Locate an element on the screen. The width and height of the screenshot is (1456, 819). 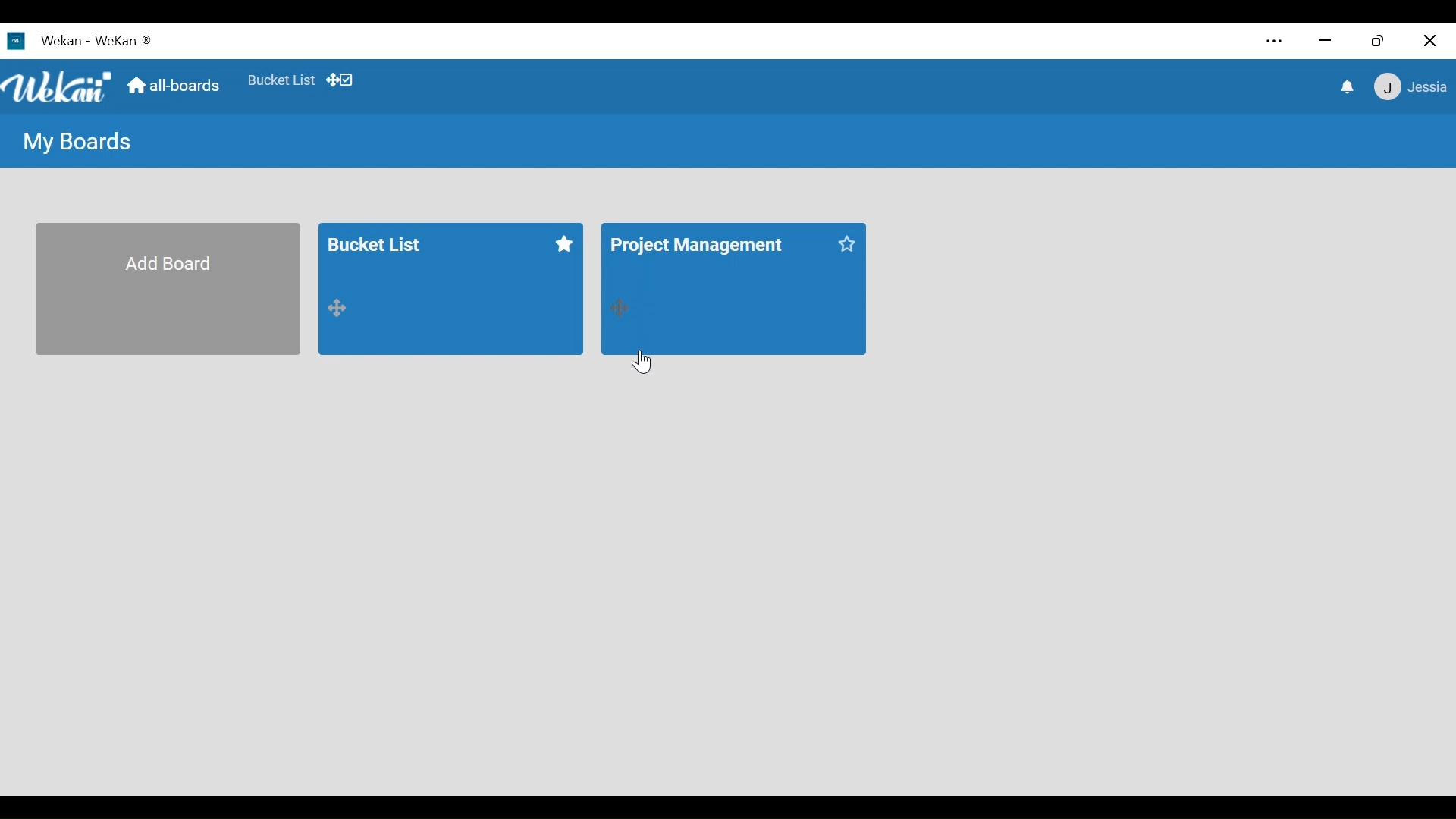
notifications is located at coordinates (1346, 87).